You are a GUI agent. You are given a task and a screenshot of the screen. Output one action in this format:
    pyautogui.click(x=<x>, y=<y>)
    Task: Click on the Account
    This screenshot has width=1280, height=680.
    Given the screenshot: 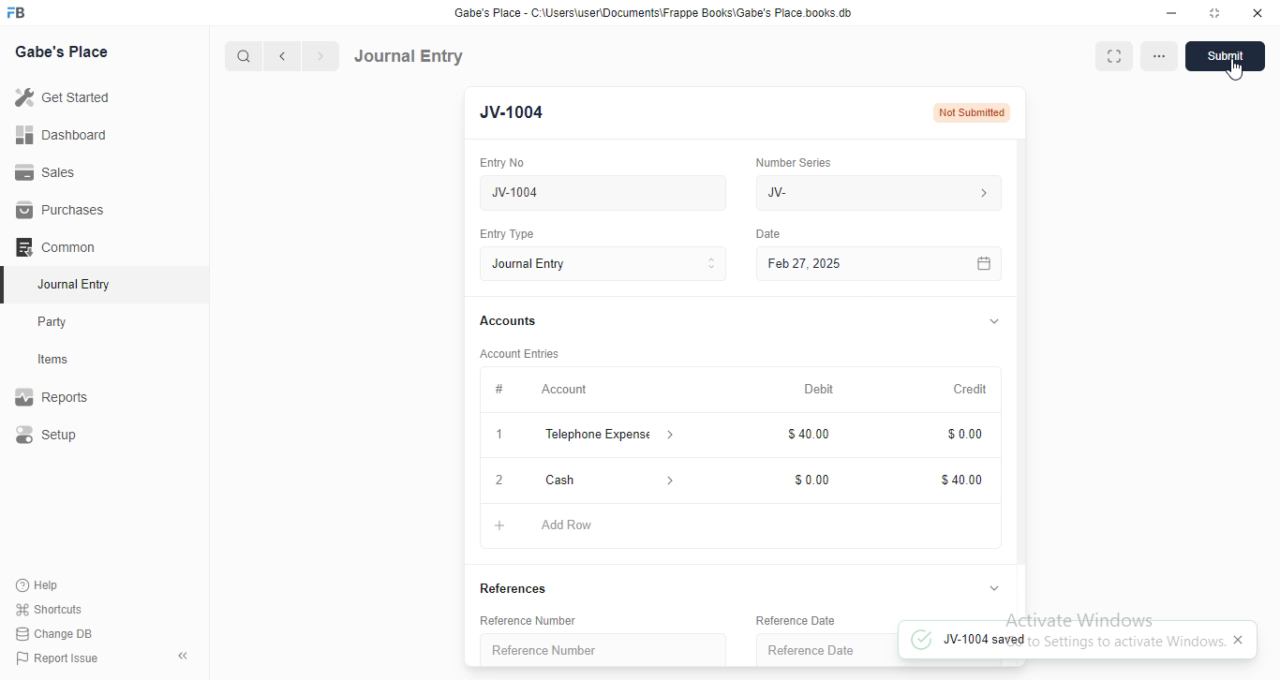 What is the action you would take?
    pyautogui.click(x=565, y=390)
    